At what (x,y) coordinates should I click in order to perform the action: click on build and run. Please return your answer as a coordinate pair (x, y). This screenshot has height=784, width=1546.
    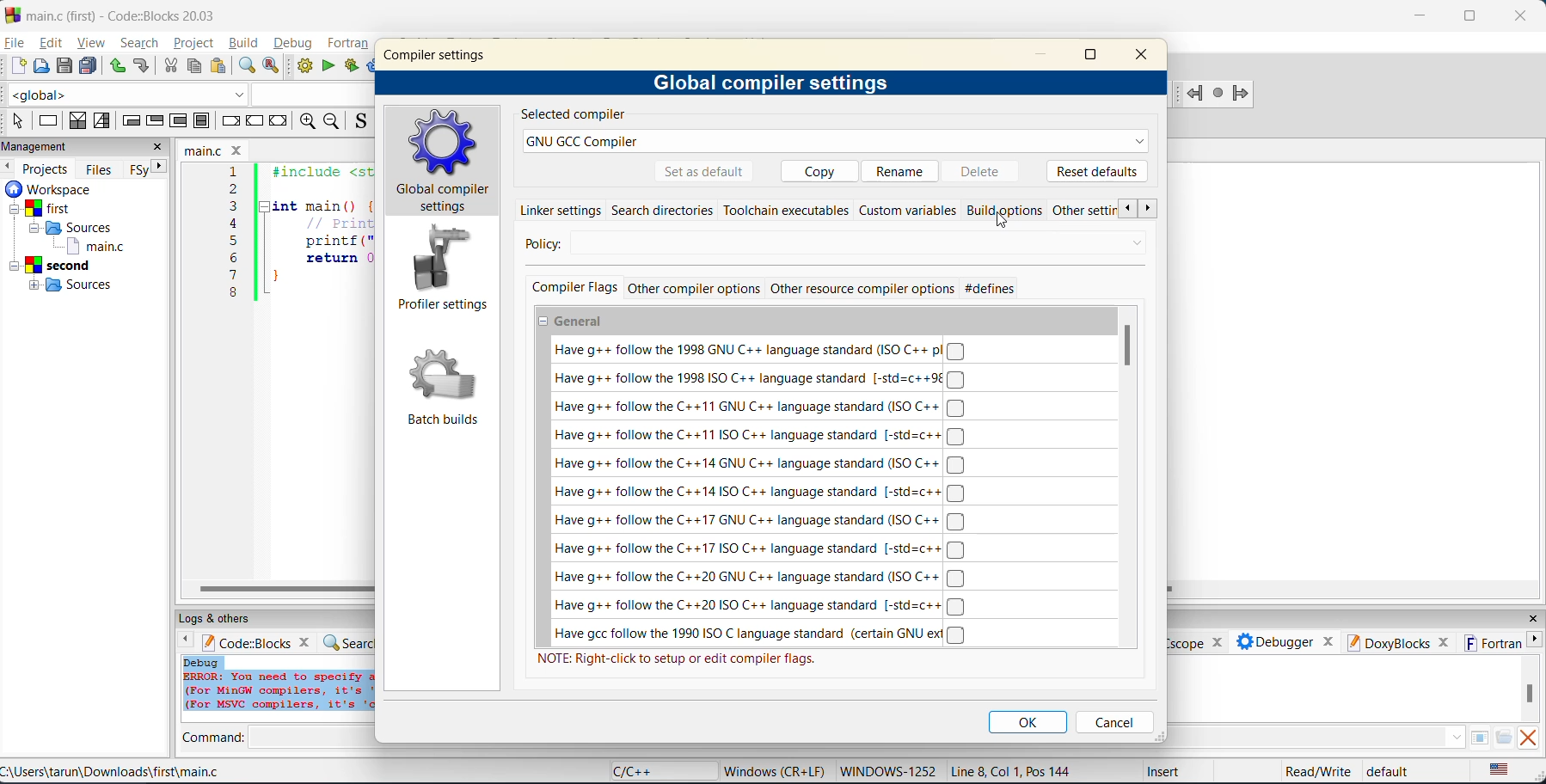
    Looking at the image, I should click on (353, 67).